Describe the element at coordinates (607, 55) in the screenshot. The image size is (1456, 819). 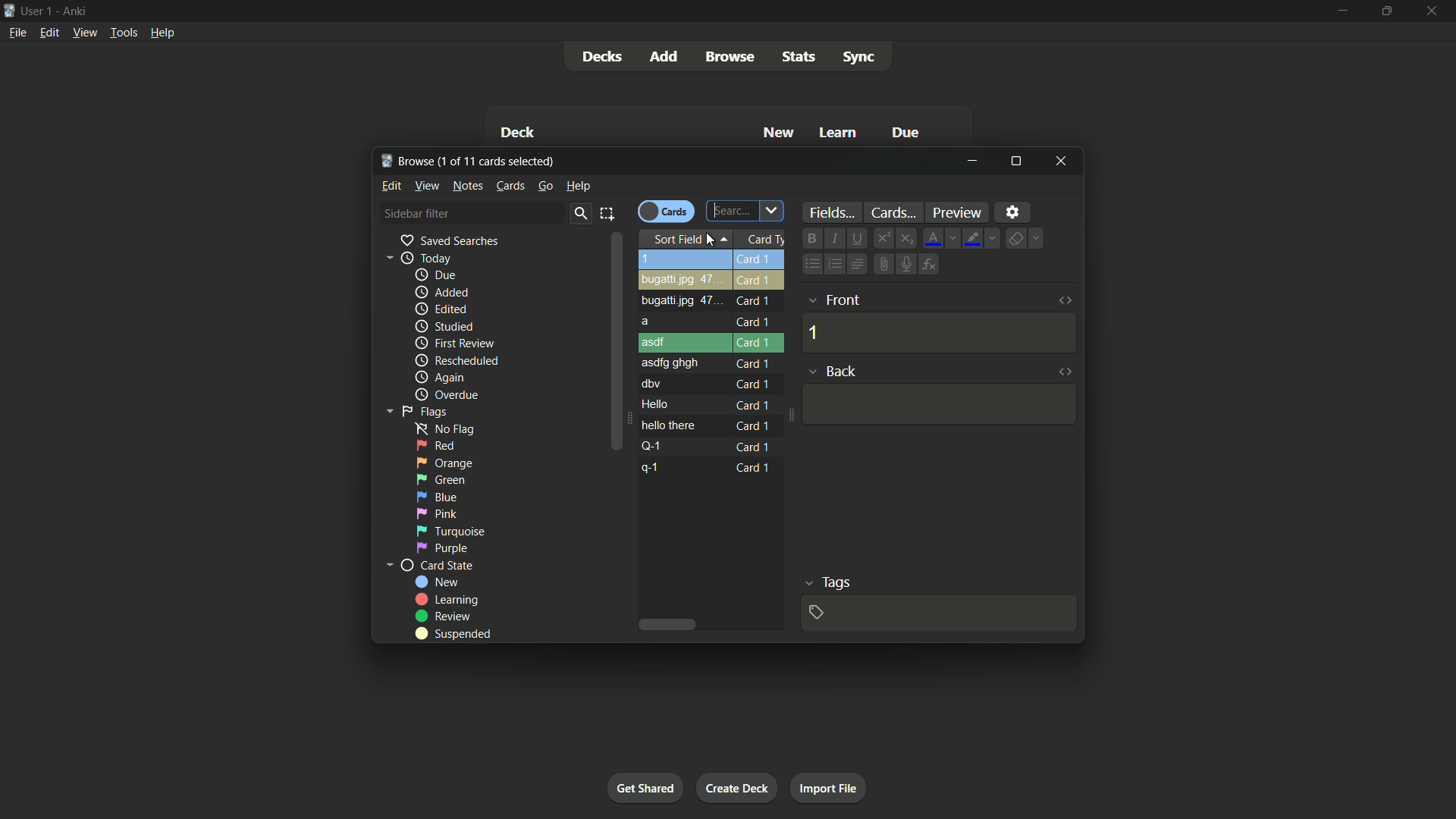
I see `decks` at that location.